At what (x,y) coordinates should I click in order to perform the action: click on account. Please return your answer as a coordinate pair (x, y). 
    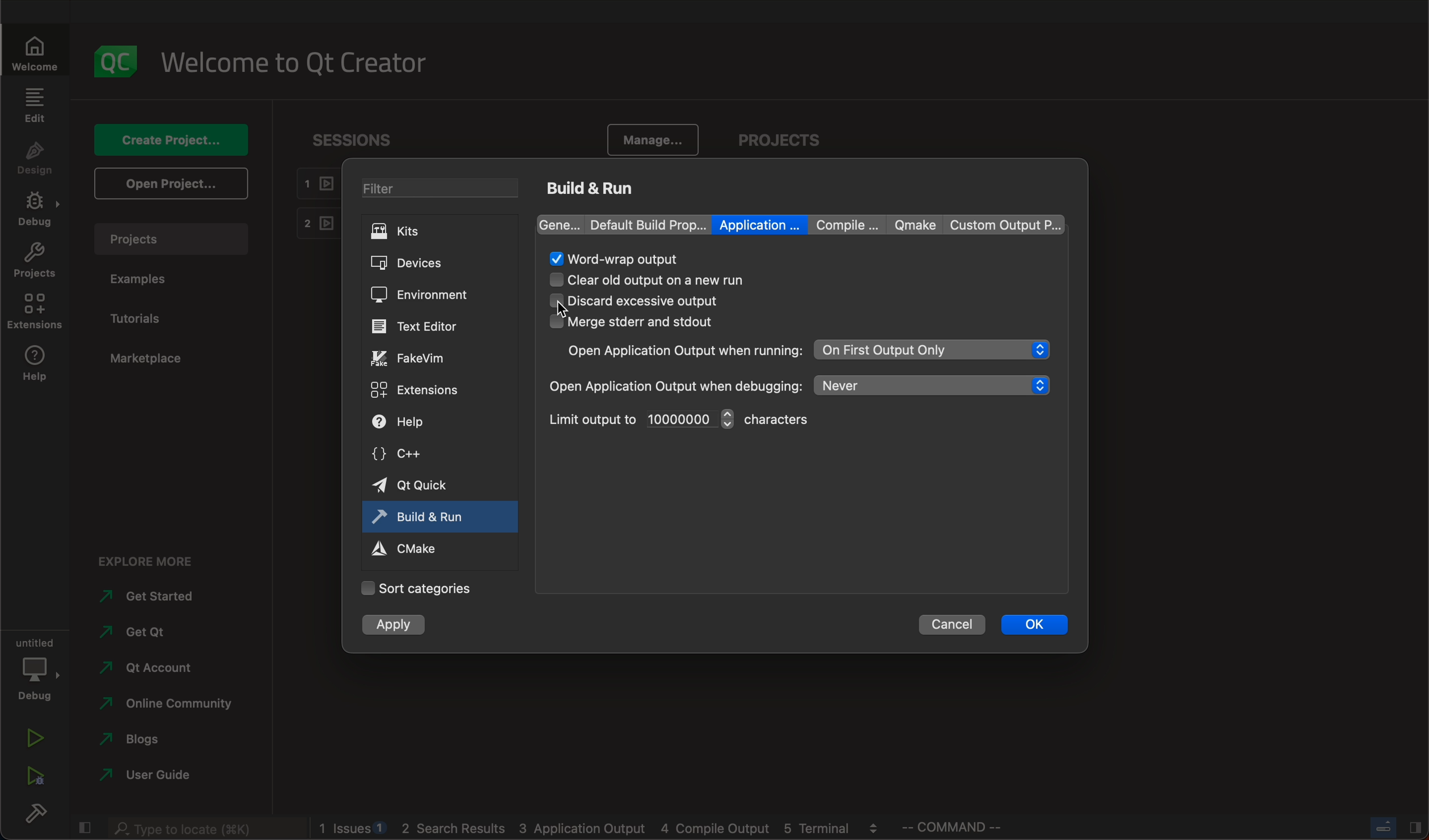
    Looking at the image, I should click on (156, 668).